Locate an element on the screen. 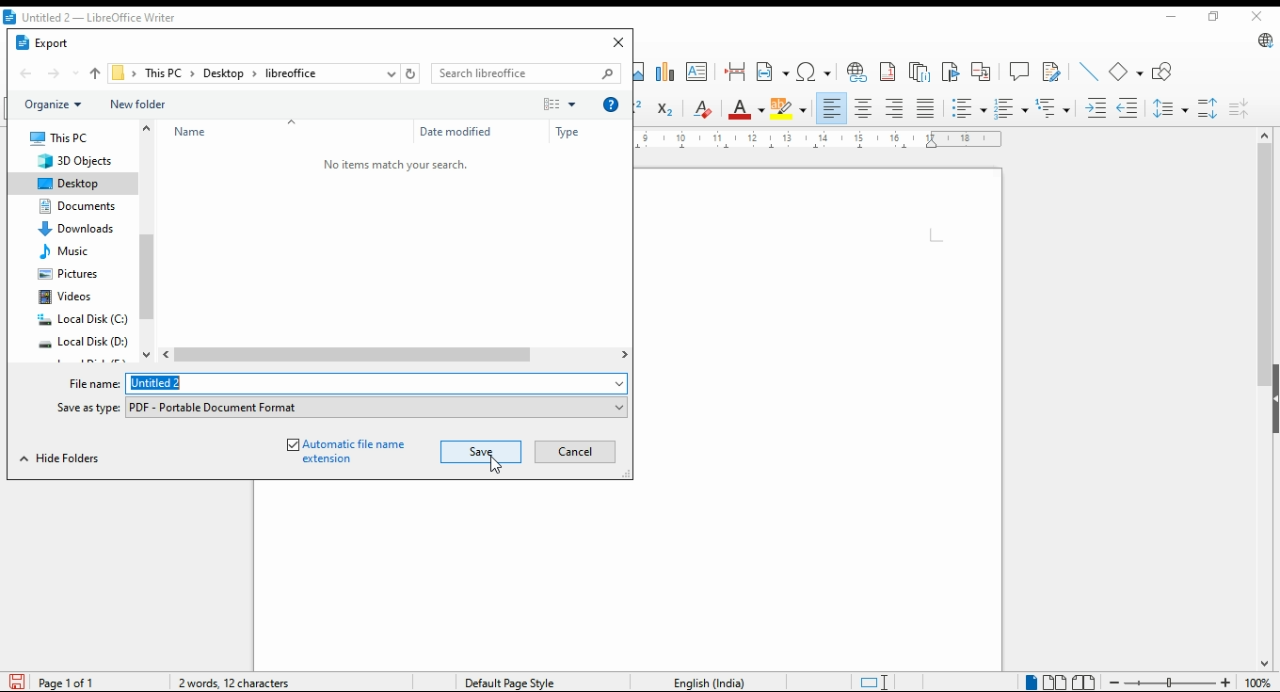 Image resolution: width=1280 pixels, height=692 pixels. file explorer path is located at coordinates (119, 75).